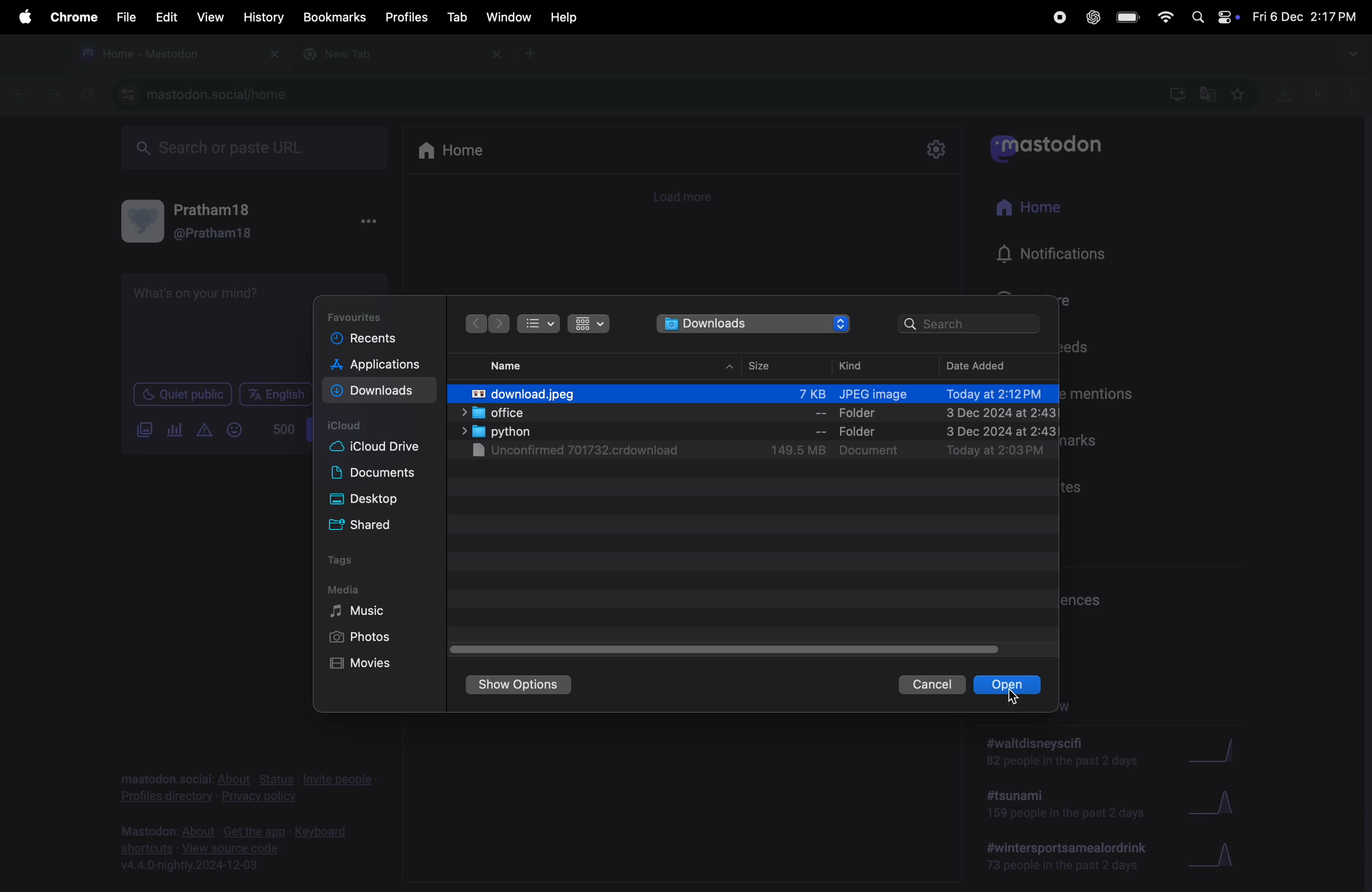 The image size is (1372, 892). I want to click on refresh, so click(85, 93).